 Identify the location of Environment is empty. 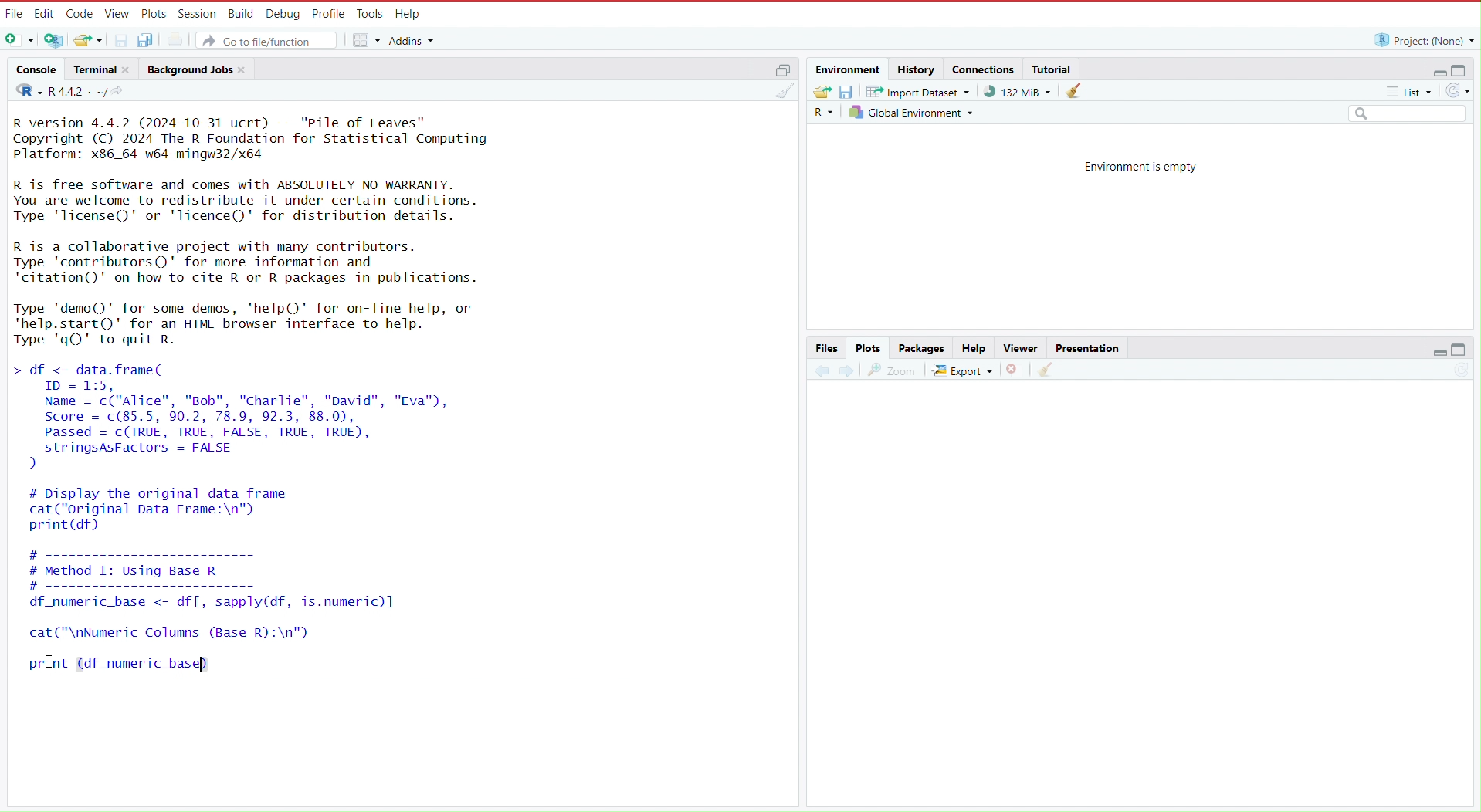
(1140, 169).